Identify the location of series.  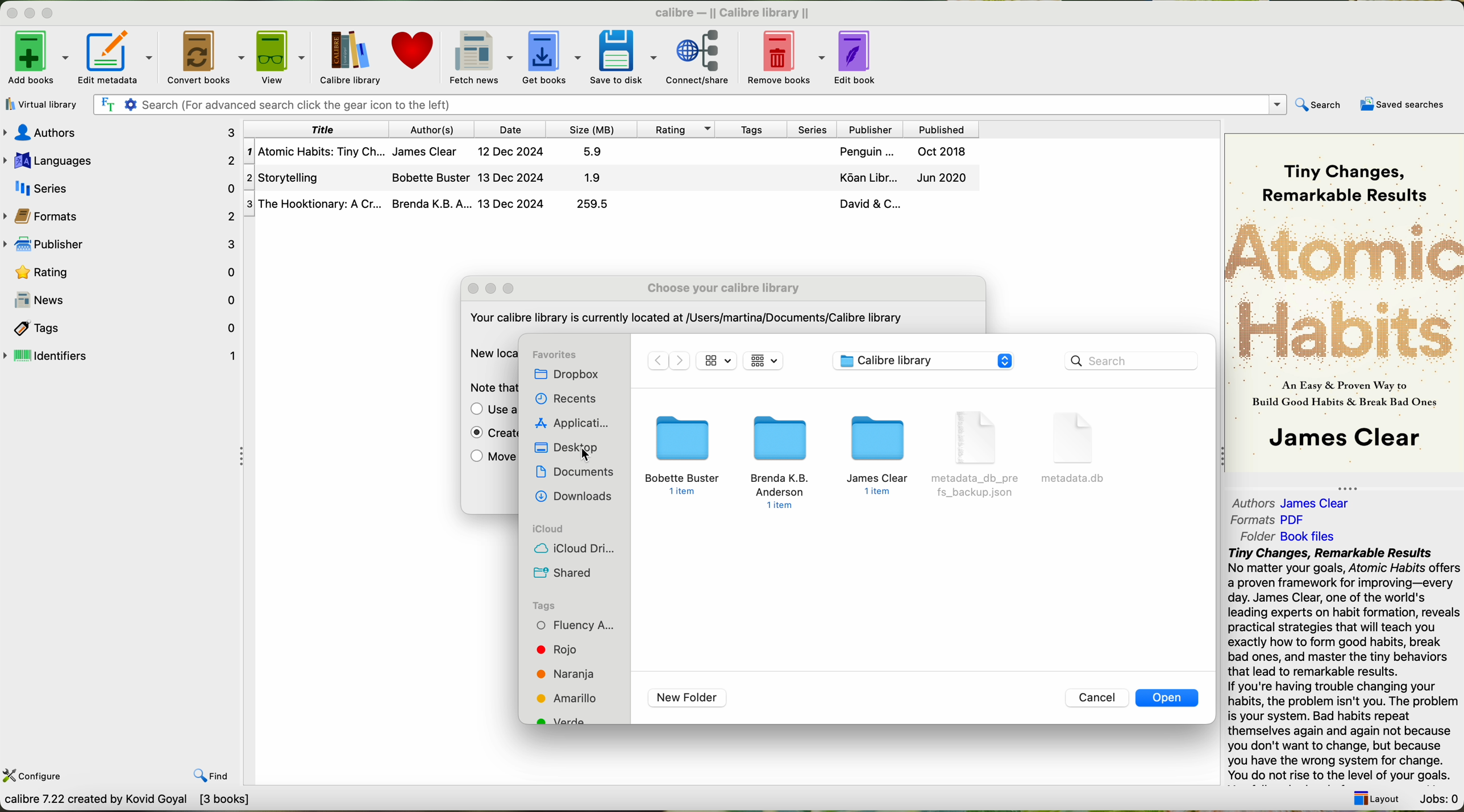
(809, 128).